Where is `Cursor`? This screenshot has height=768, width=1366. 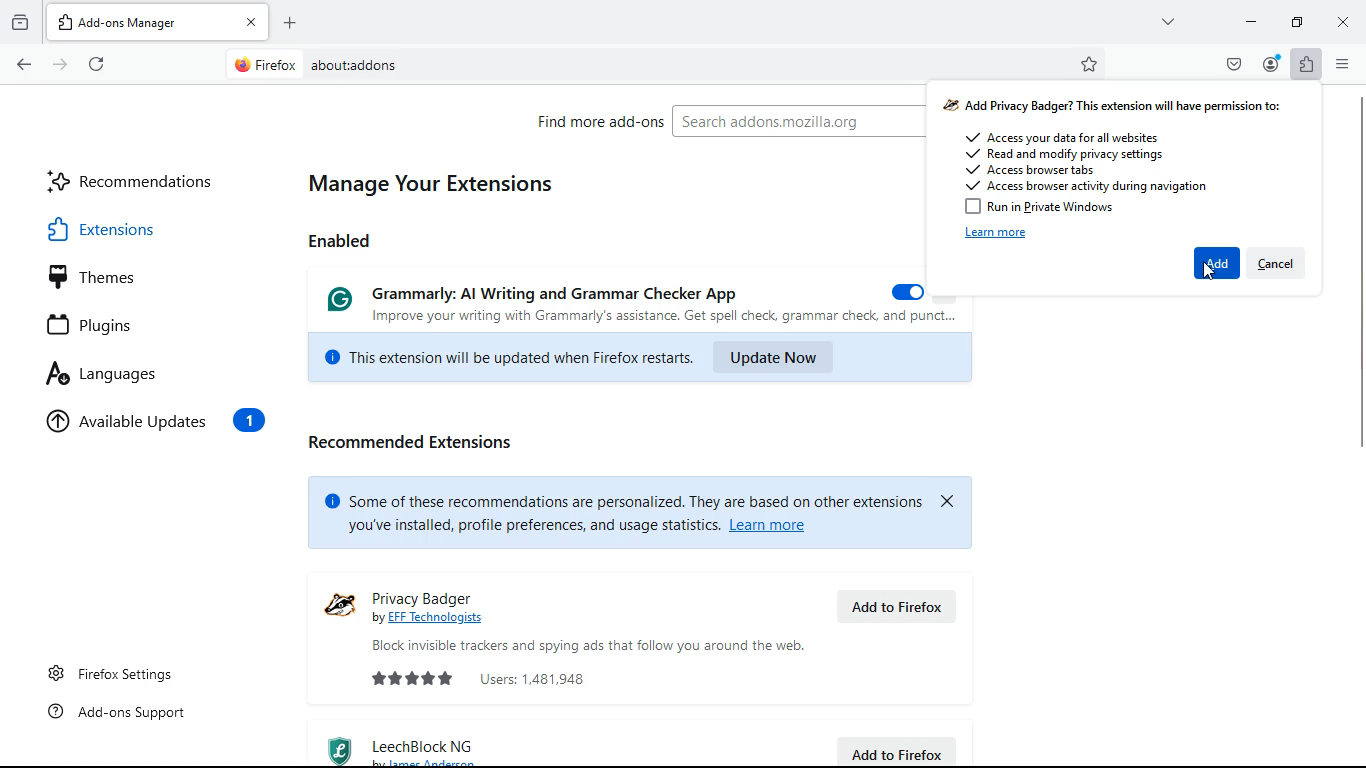 Cursor is located at coordinates (1211, 272).